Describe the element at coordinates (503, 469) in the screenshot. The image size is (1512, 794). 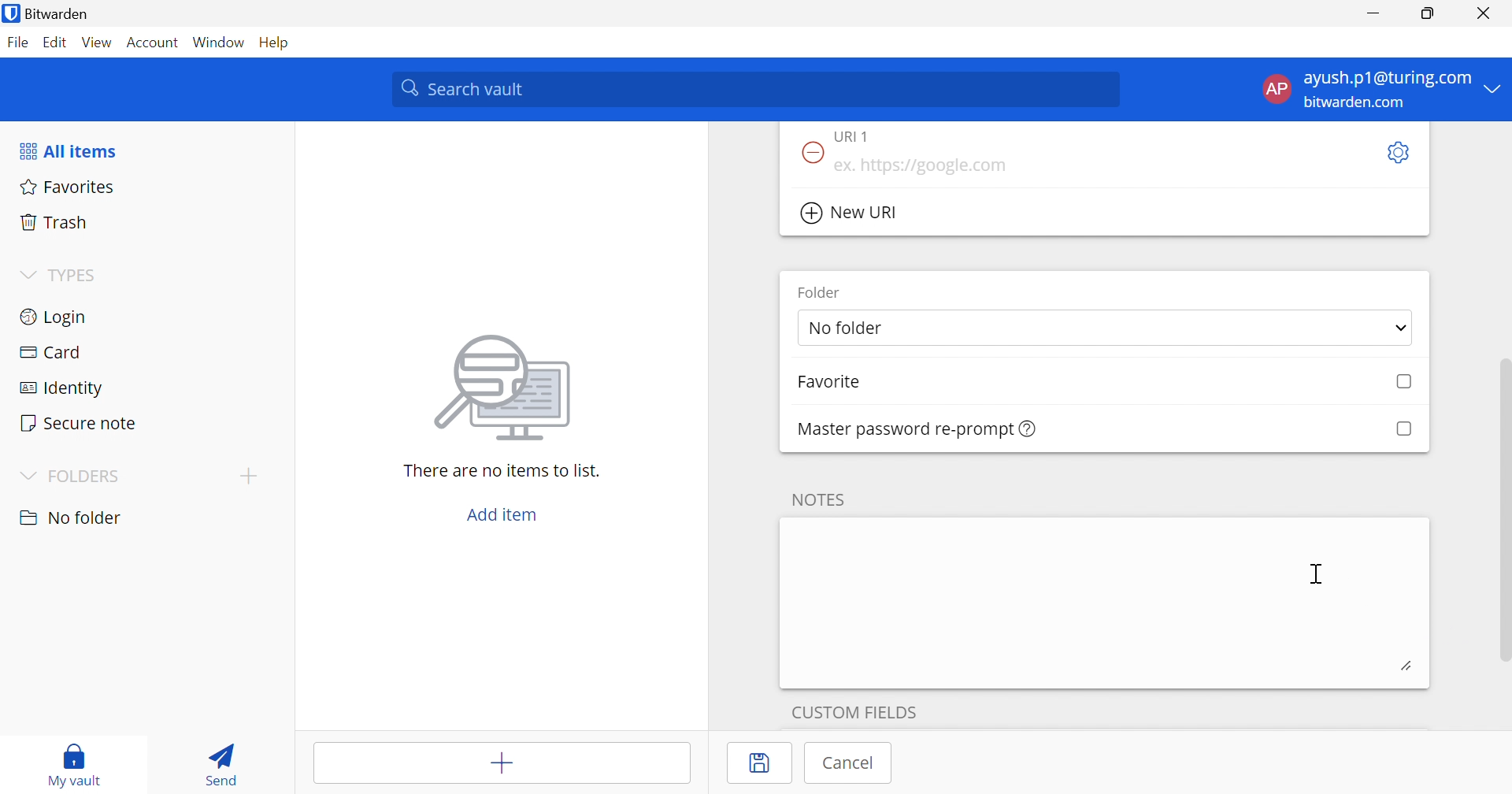
I see `There are no items to list.` at that location.